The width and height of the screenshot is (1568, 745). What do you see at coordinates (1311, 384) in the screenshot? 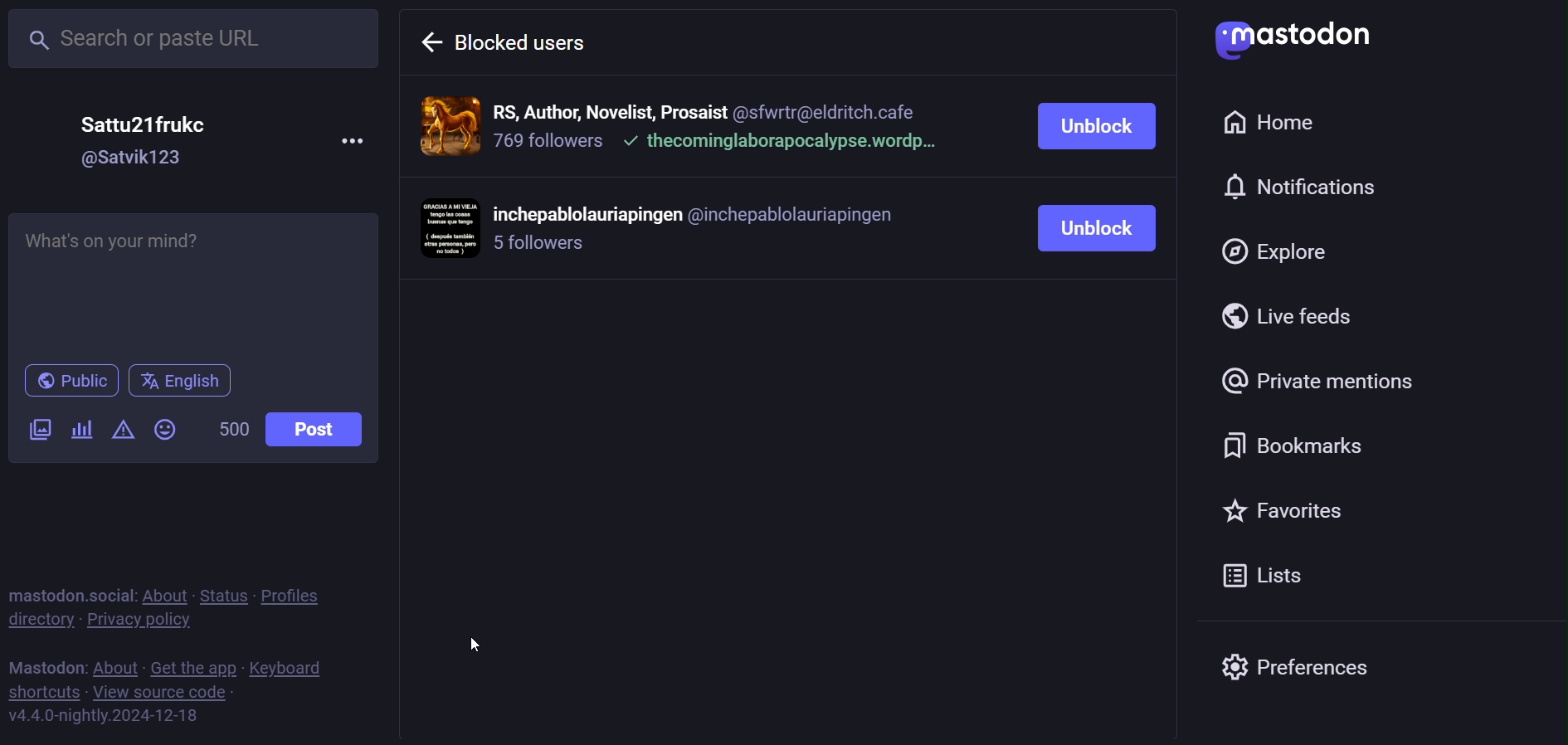
I see `private mention` at bounding box center [1311, 384].